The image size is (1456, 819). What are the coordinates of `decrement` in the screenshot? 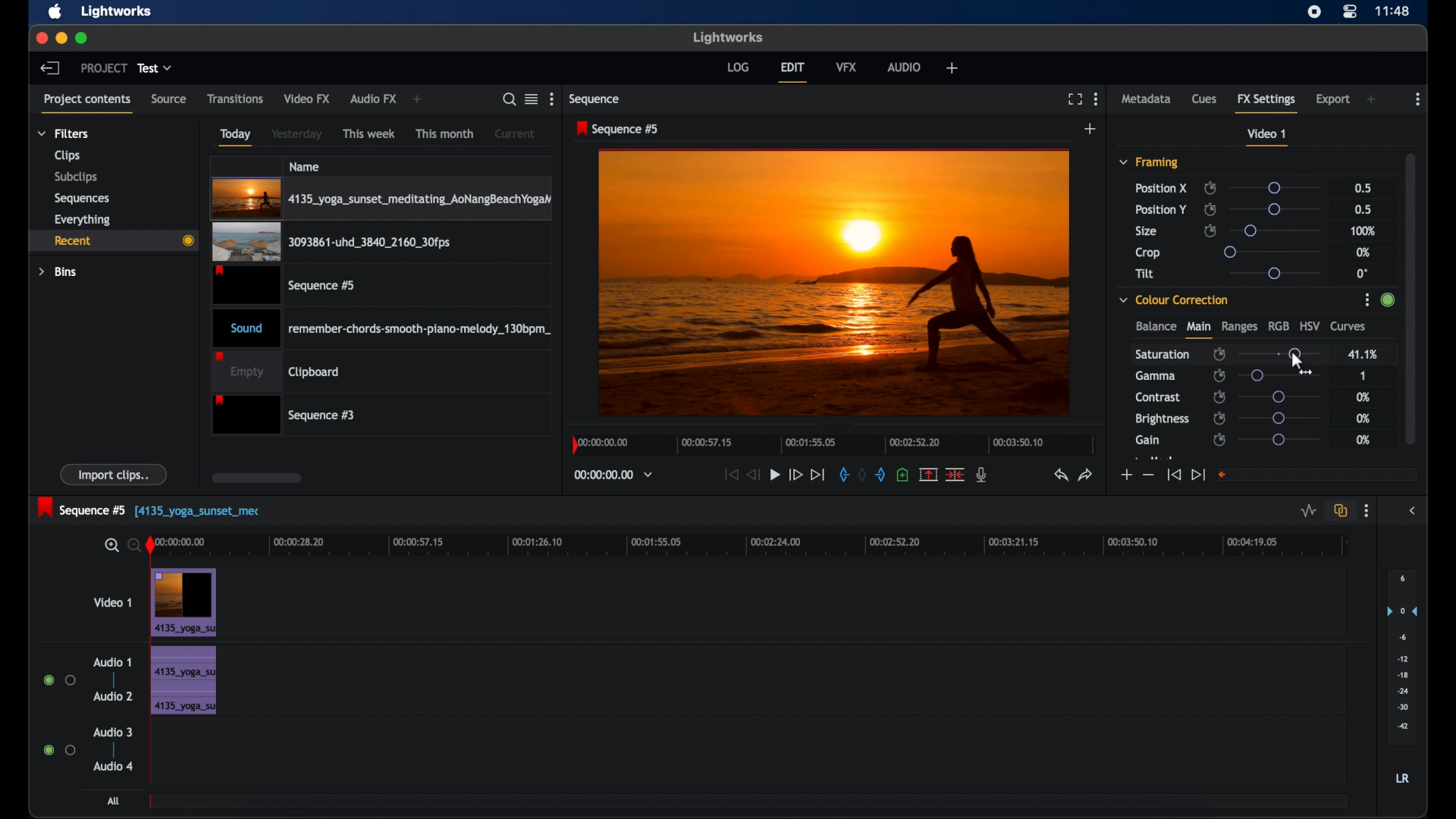 It's located at (1148, 475).